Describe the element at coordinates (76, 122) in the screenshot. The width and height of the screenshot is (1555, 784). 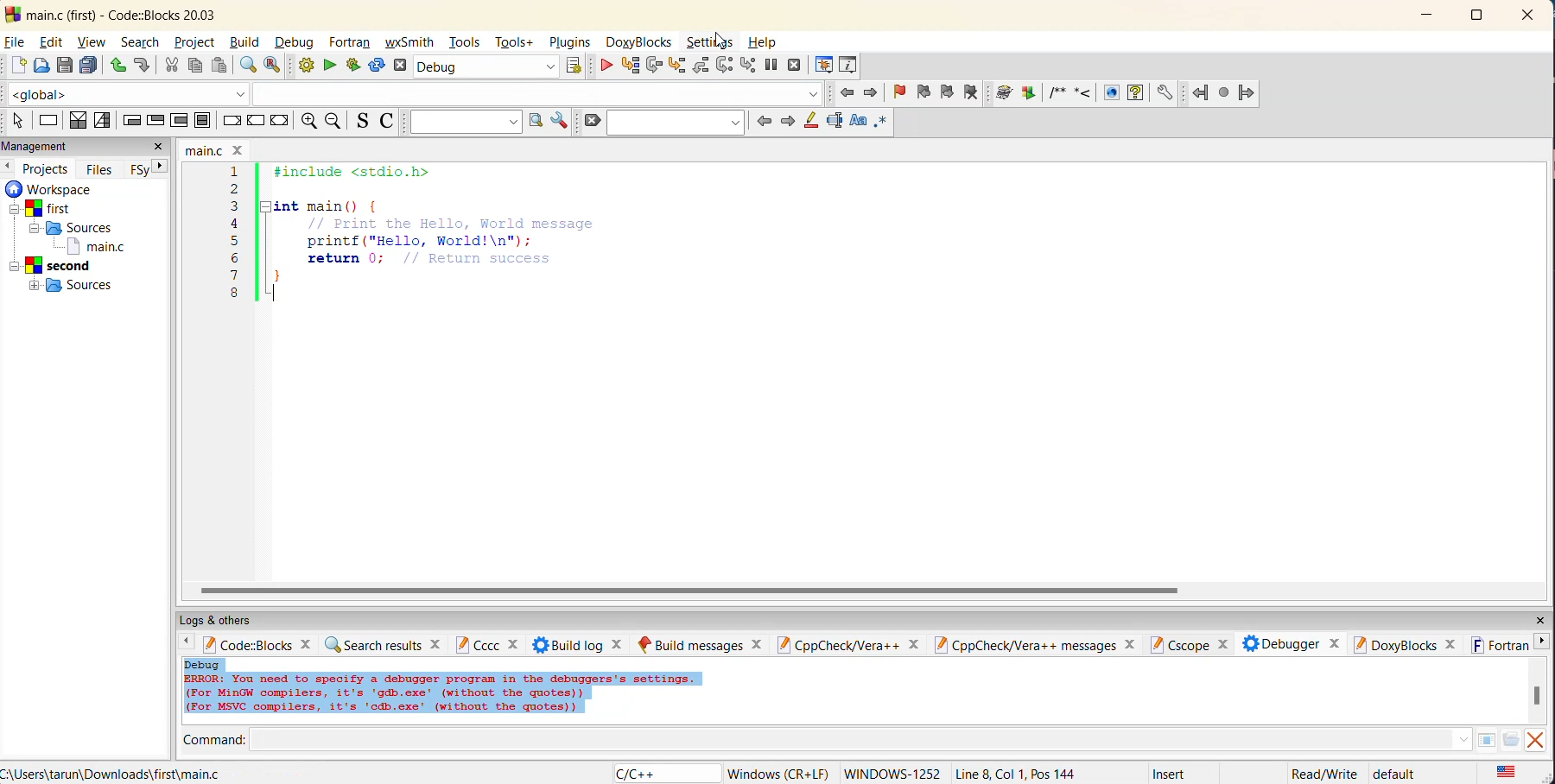
I see `decision` at that location.